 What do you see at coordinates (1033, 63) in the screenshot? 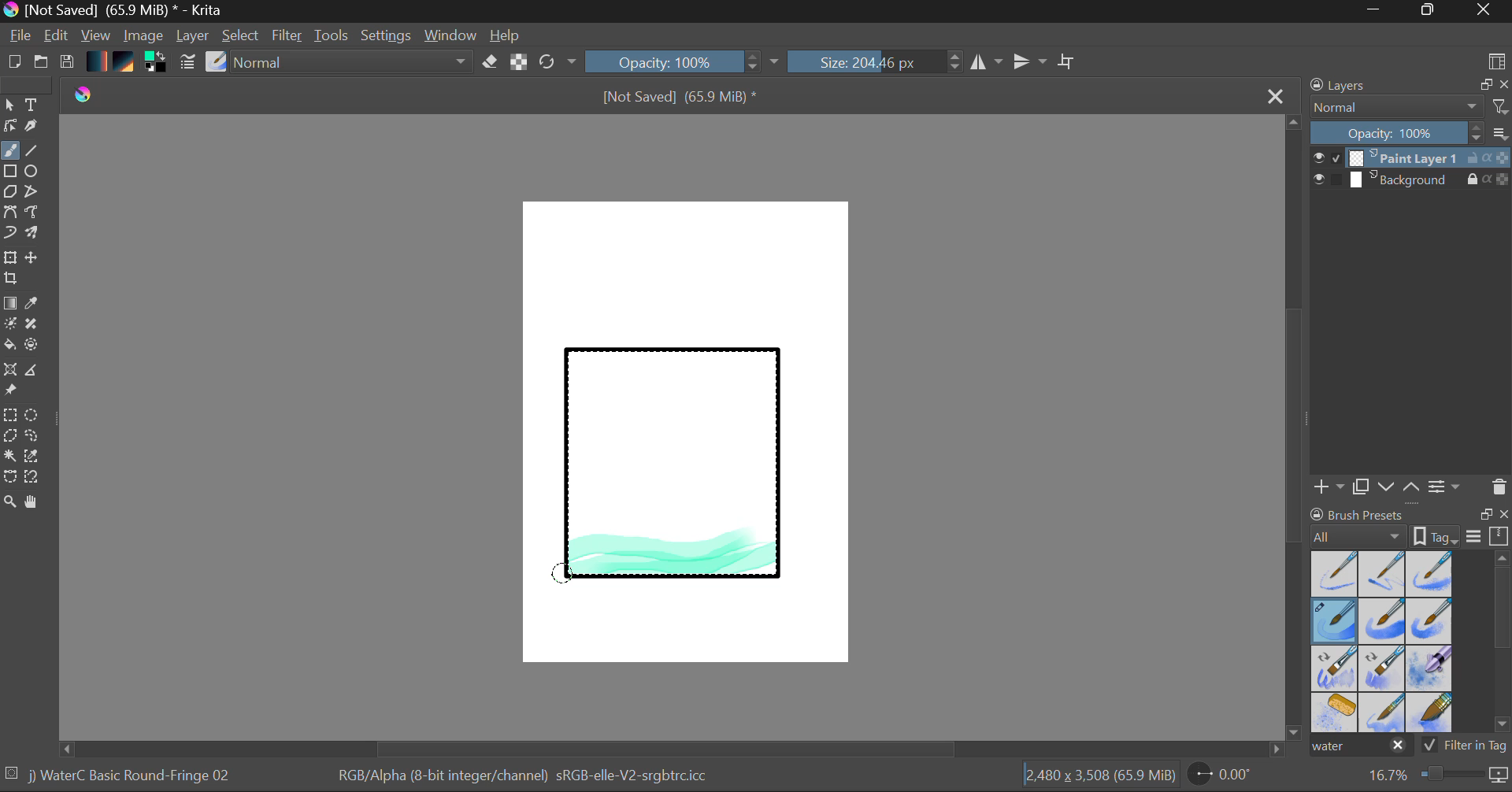
I see `Horizontal Mirror Flip` at bounding box center [1033, 63].